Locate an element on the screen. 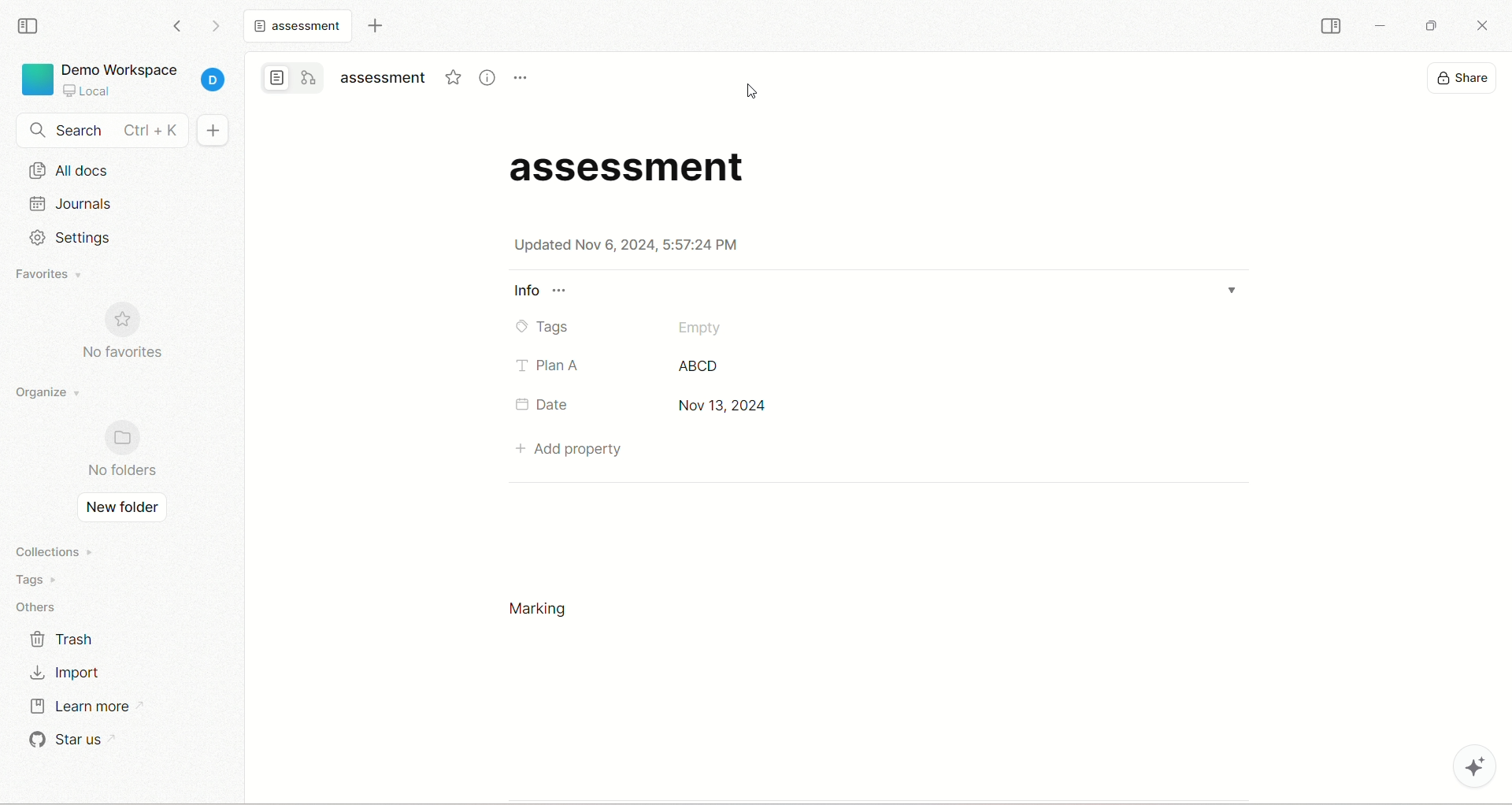 Image resolution: width=1512 pixels, height=805 pixels. Updated Nov 6, 2024, 5:57:24 PM is located at coordinates (626, 246).